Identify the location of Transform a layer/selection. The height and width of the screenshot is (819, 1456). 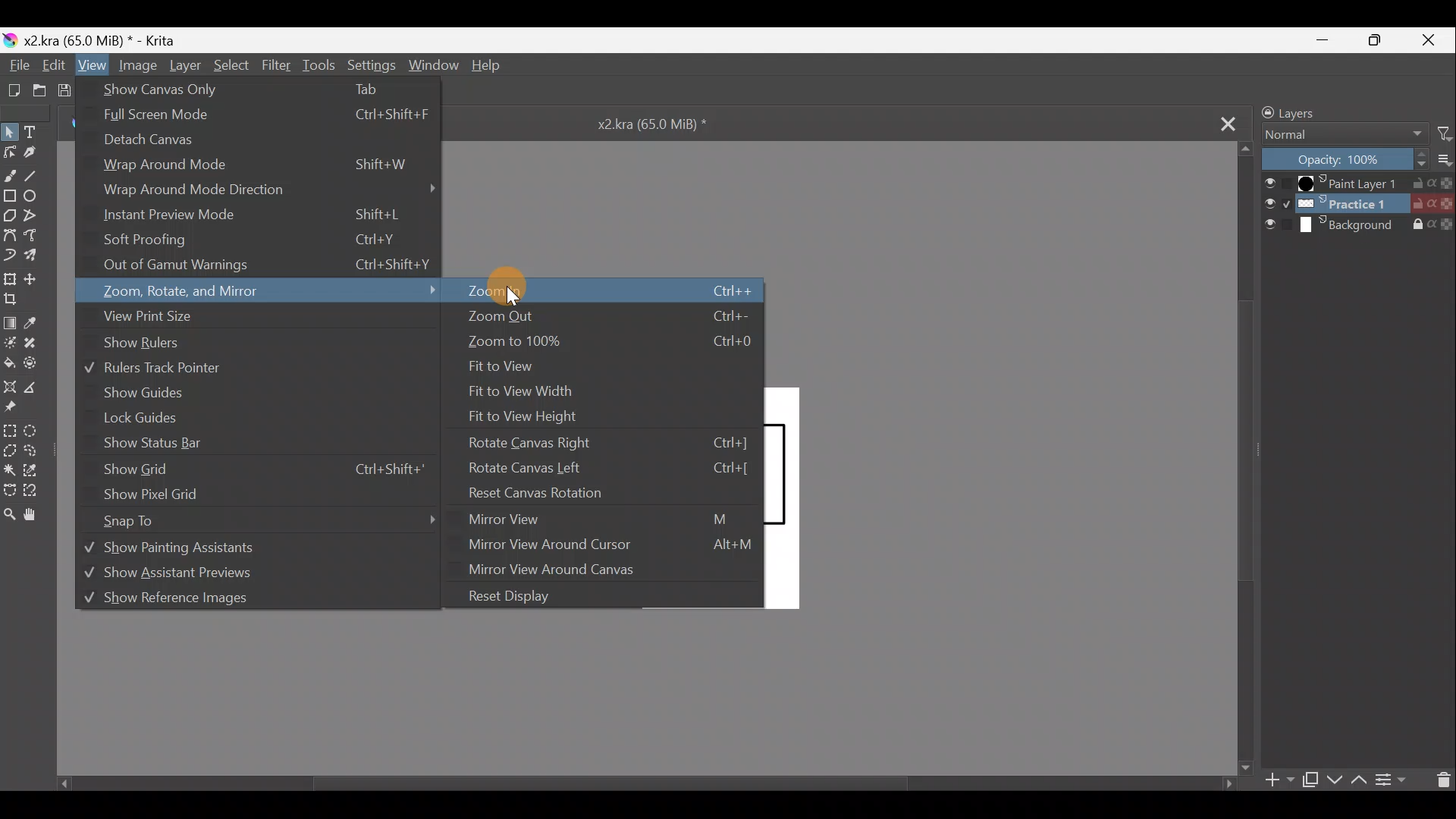
(11, 281).